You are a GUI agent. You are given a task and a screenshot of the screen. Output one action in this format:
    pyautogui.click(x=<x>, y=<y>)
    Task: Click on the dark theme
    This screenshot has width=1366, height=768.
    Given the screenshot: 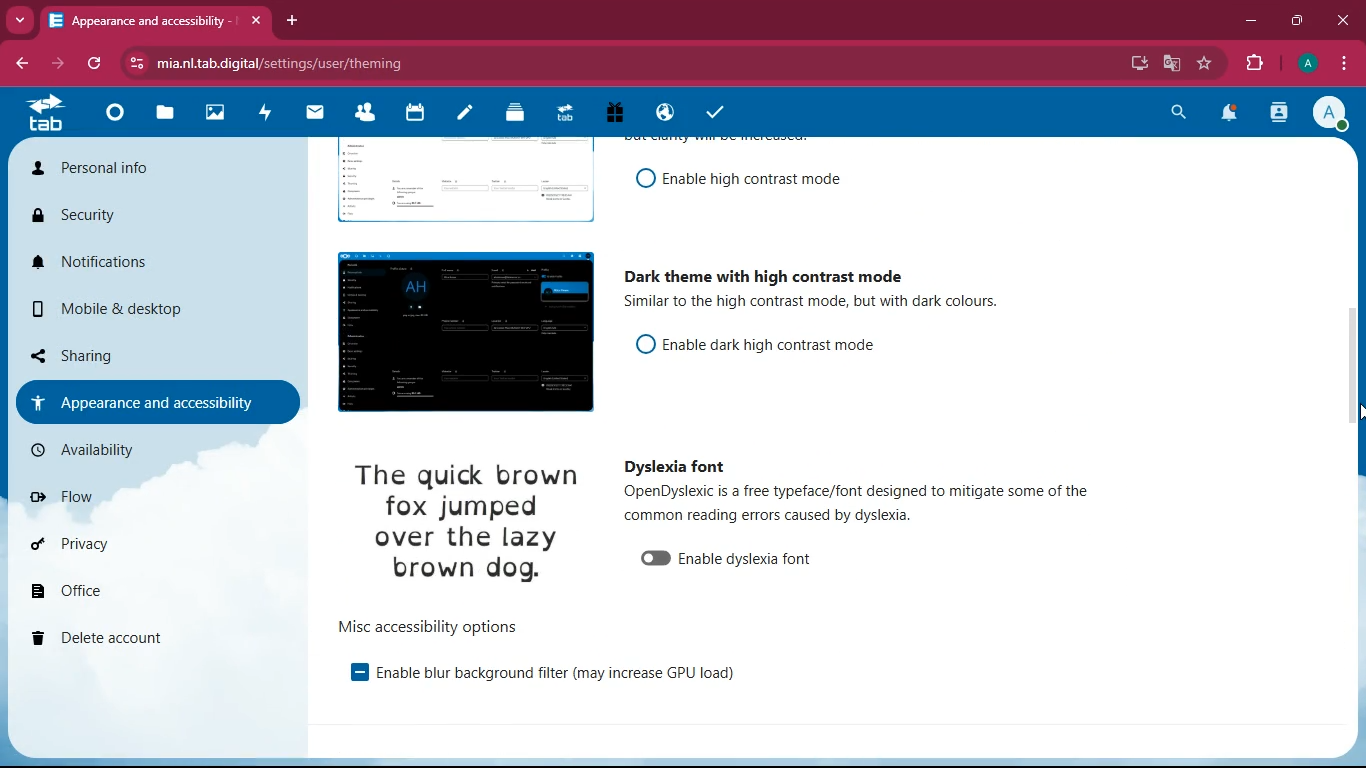 What is the action you would take?
    pyautogui.click(x=762, y=271)
    